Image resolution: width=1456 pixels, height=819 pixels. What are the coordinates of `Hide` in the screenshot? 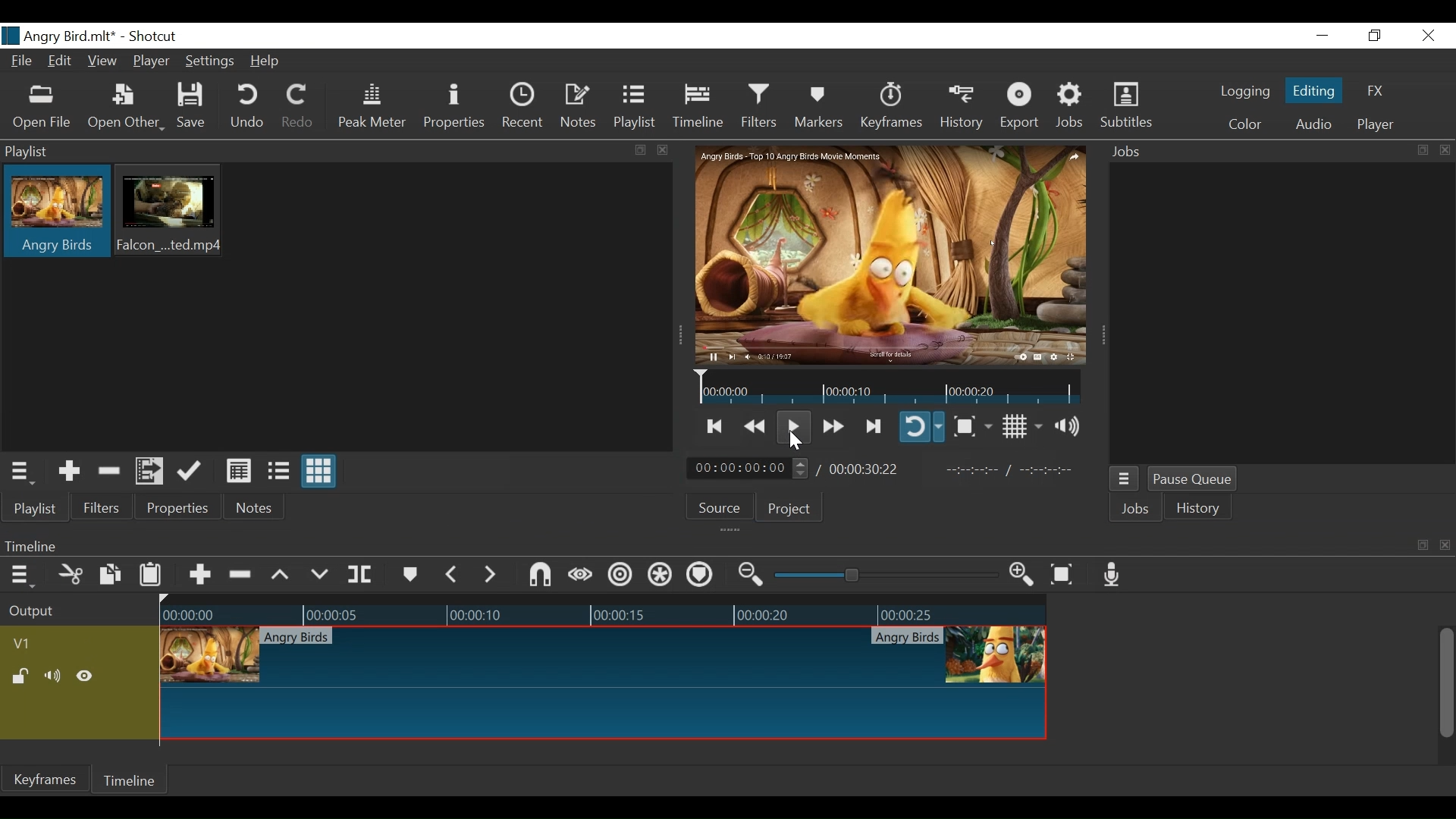 It's located at (89, 677).